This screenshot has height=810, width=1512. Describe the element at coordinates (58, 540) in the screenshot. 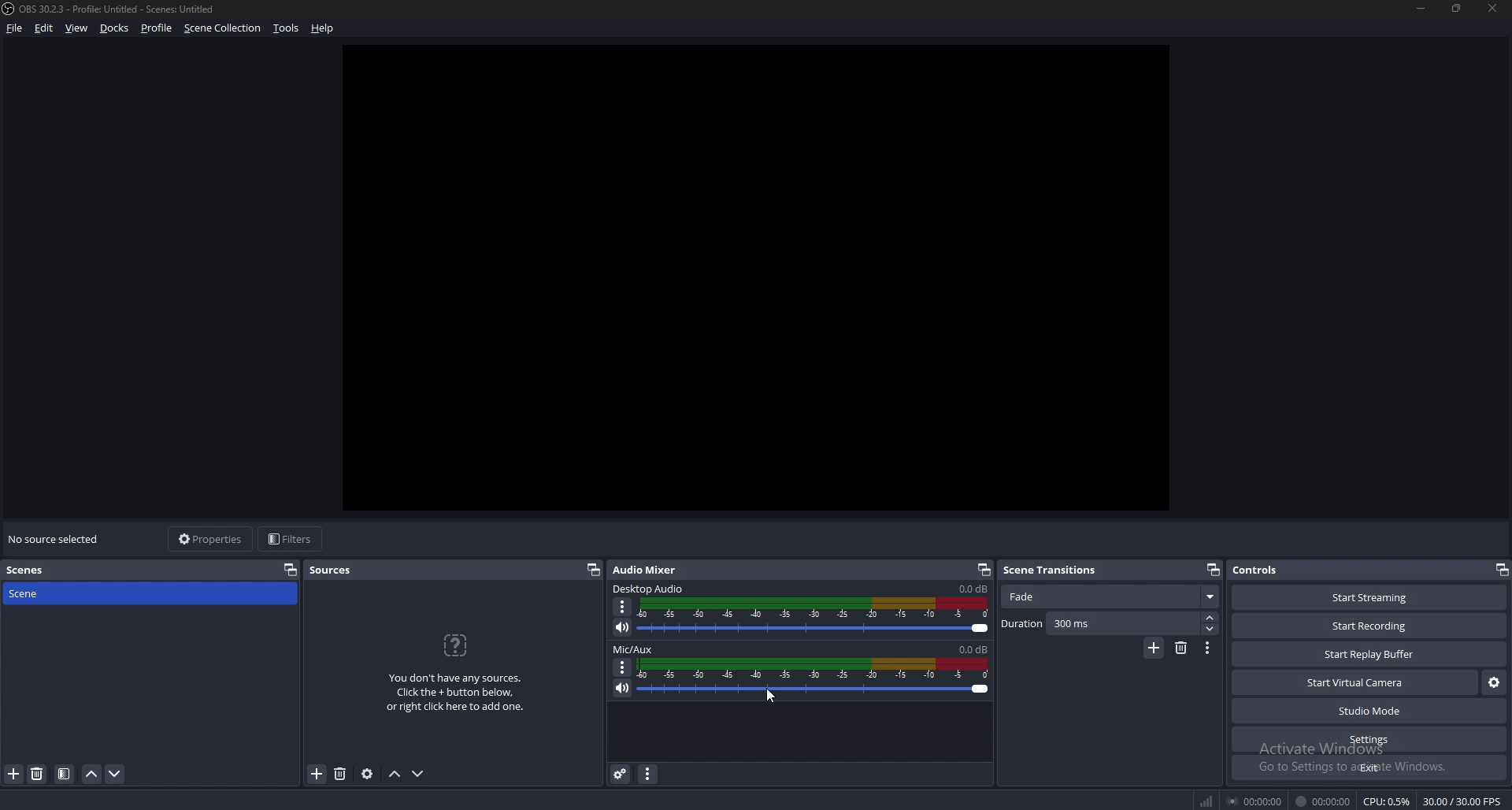

I see `no source selected` at that location.